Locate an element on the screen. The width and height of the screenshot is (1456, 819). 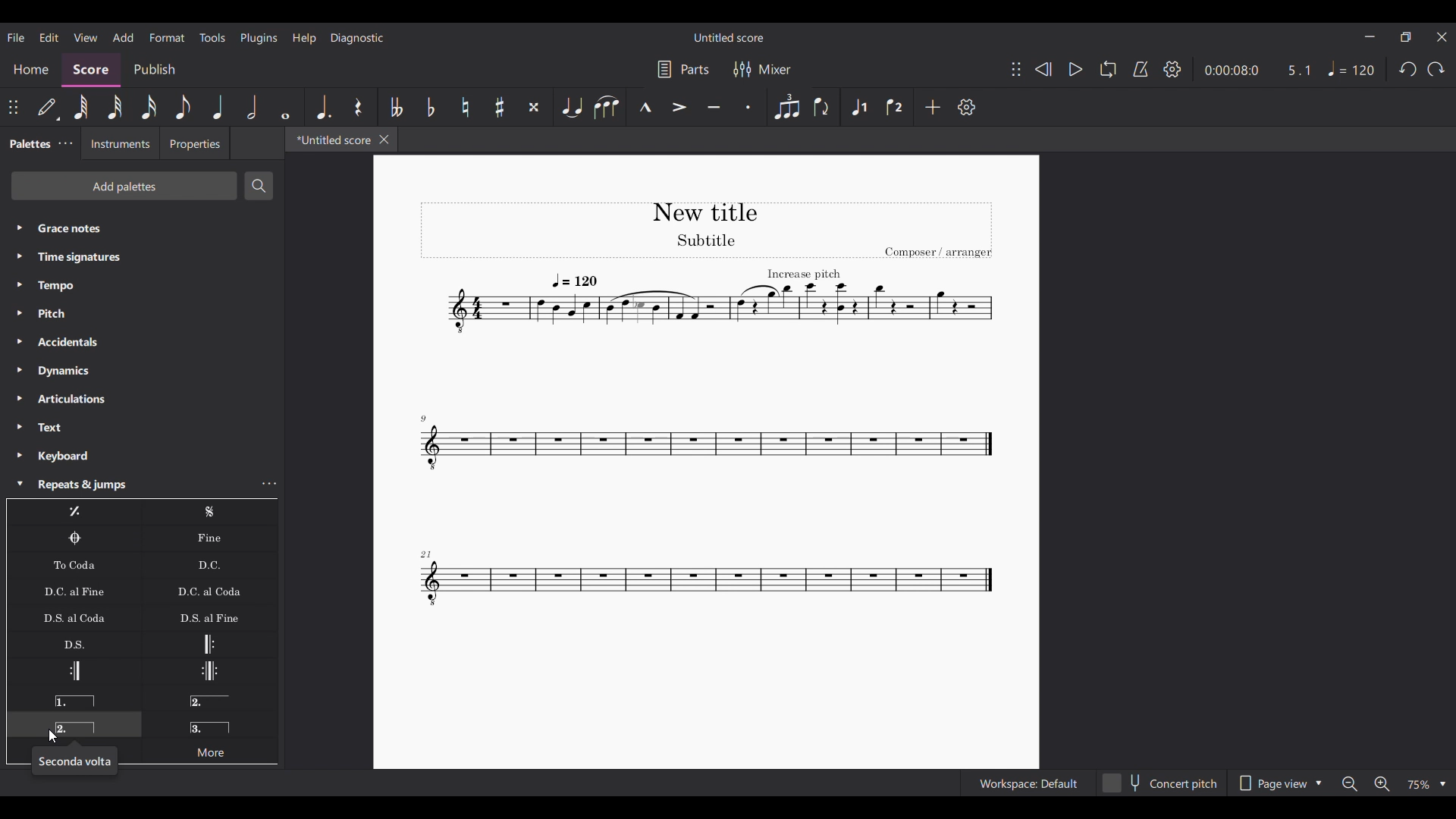
Palette settings is located at coordinates (65, 143).